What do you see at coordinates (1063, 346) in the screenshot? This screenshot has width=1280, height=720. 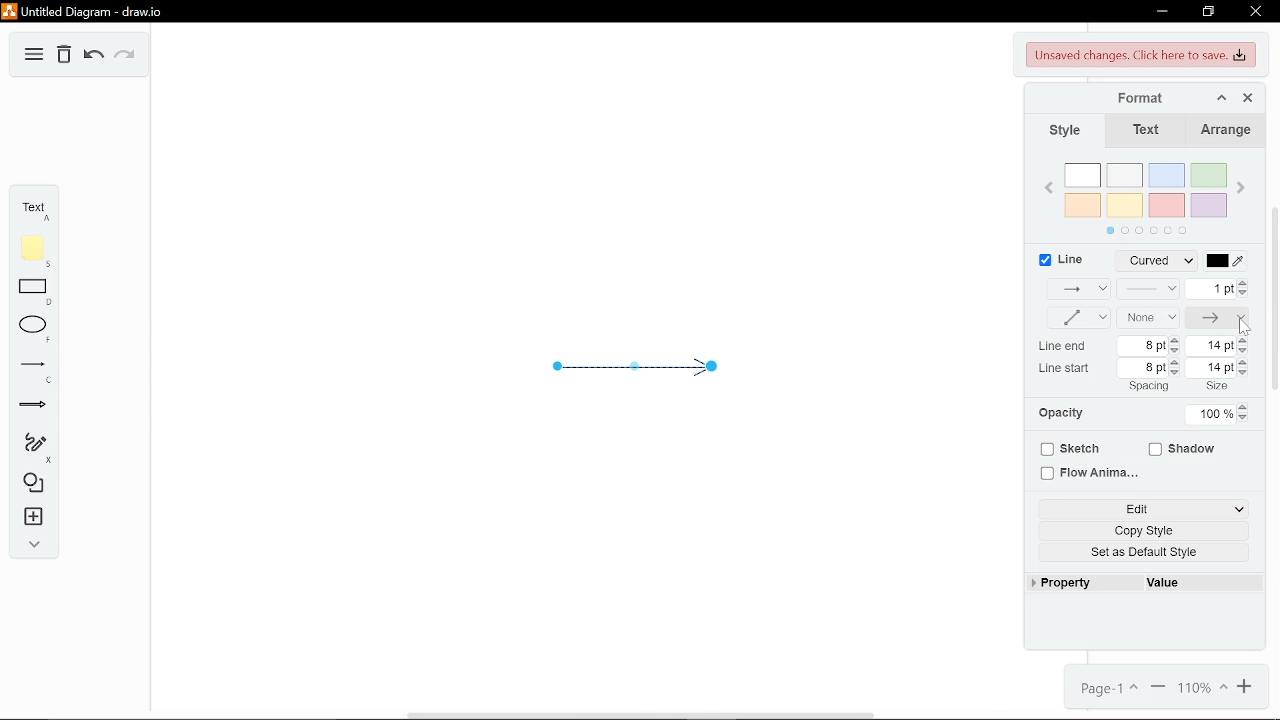 I see `line end` at bounding box center [1063, 346].